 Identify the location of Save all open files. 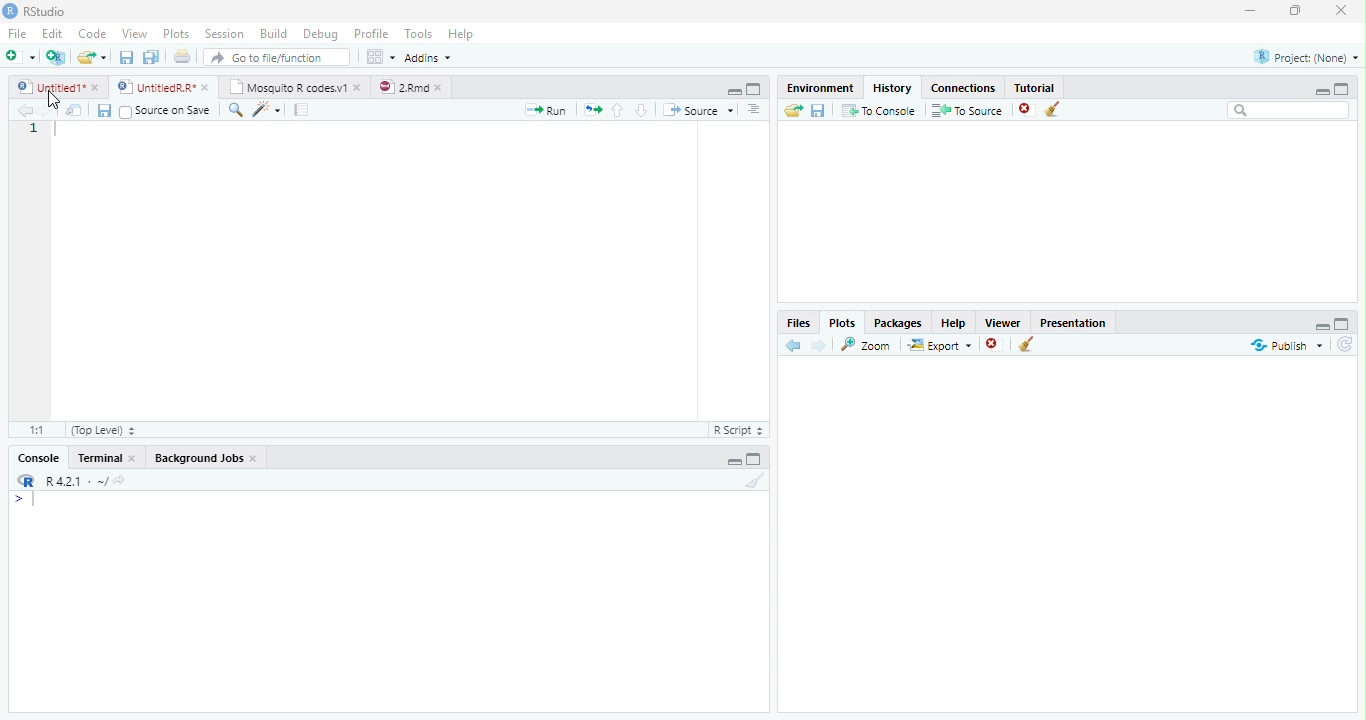
(151, 57).